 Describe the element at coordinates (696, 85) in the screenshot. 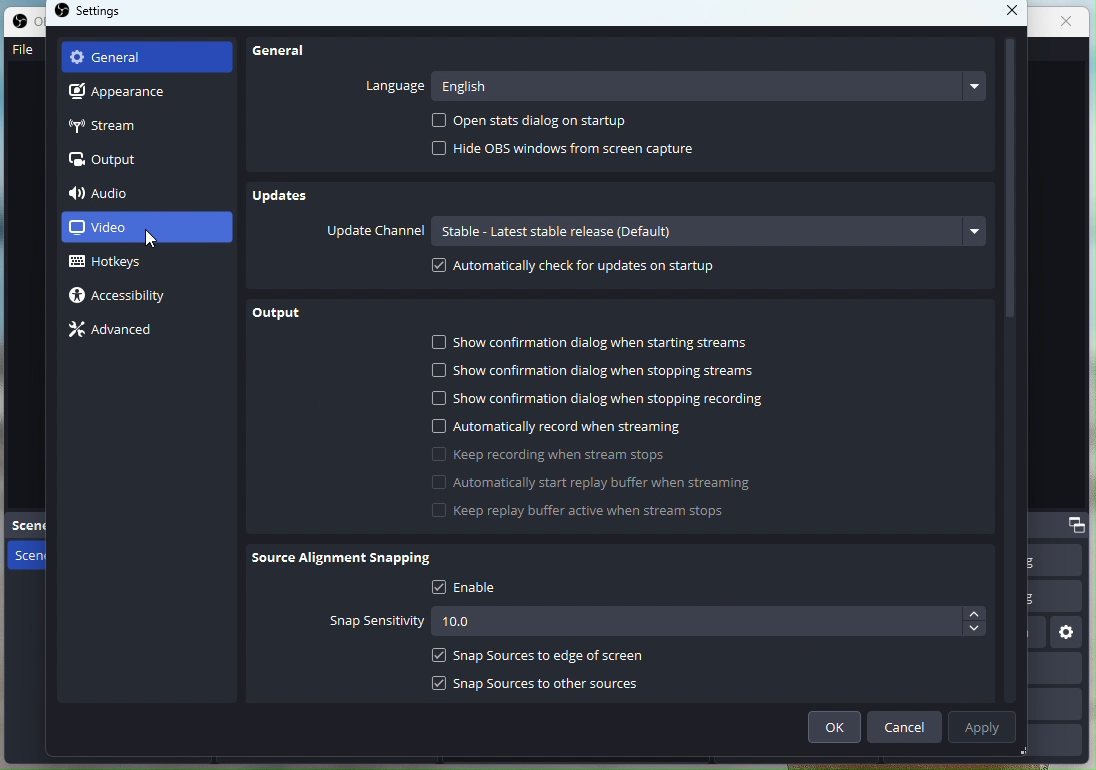

I see `English` at that location.